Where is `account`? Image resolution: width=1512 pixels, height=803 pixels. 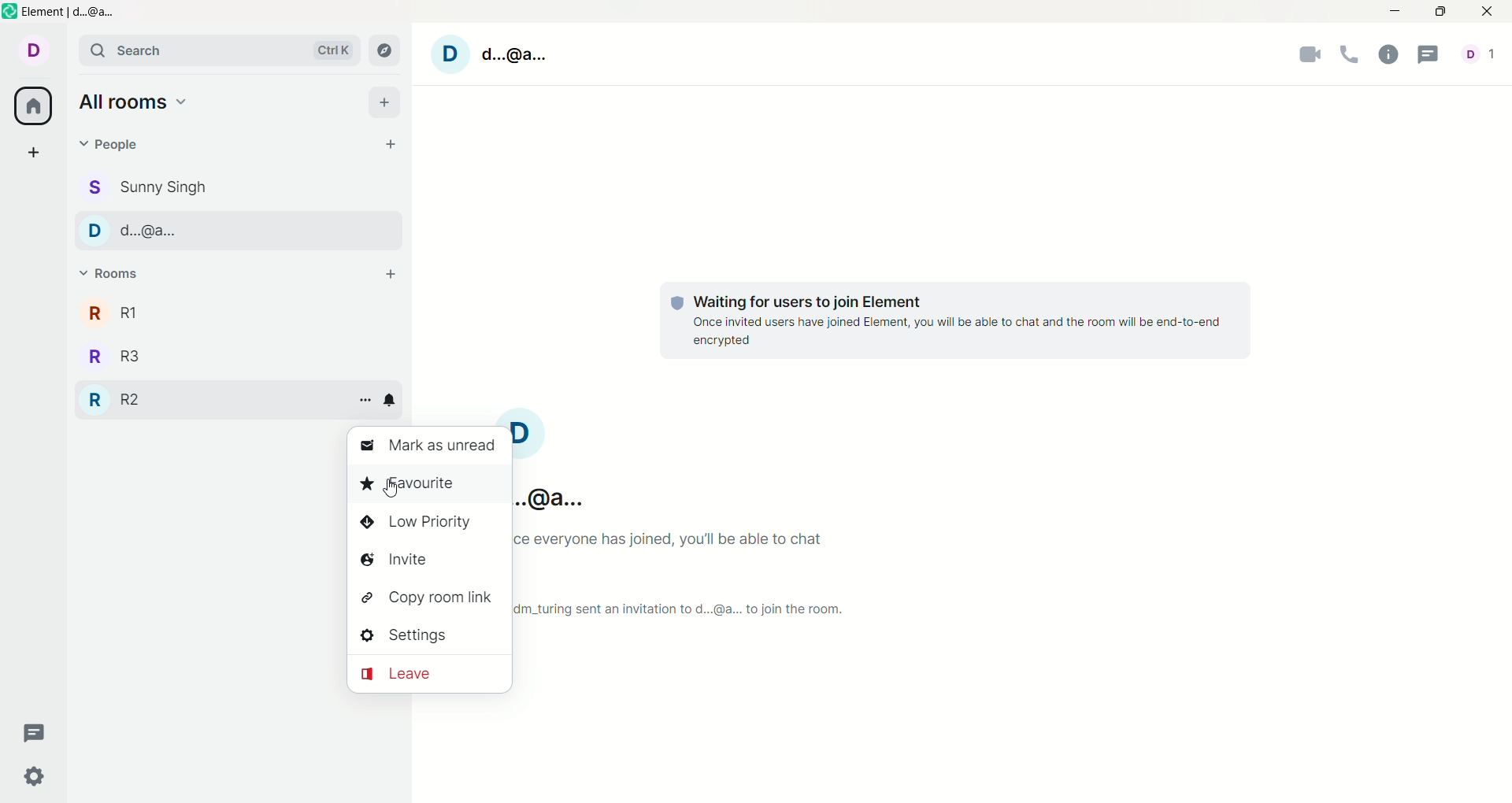
account is located at coordinates (558, 461).